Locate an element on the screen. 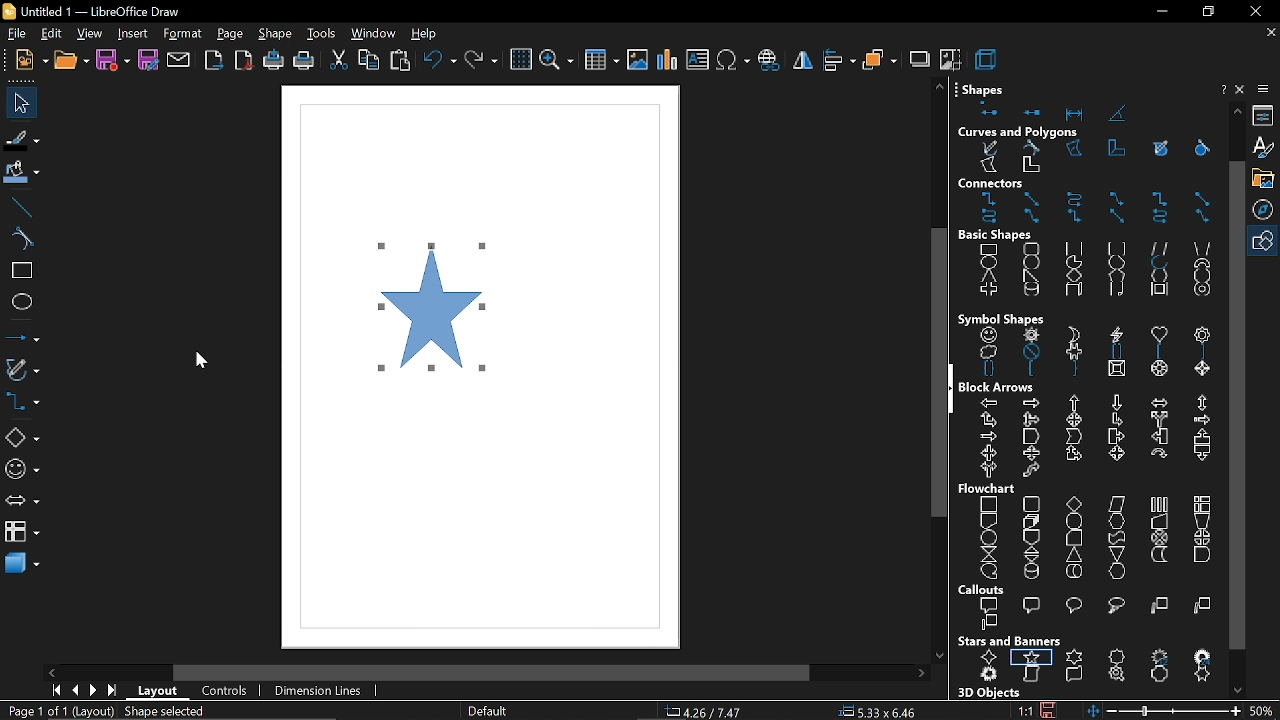  co-ordinates is located at coordinates (714, 712).